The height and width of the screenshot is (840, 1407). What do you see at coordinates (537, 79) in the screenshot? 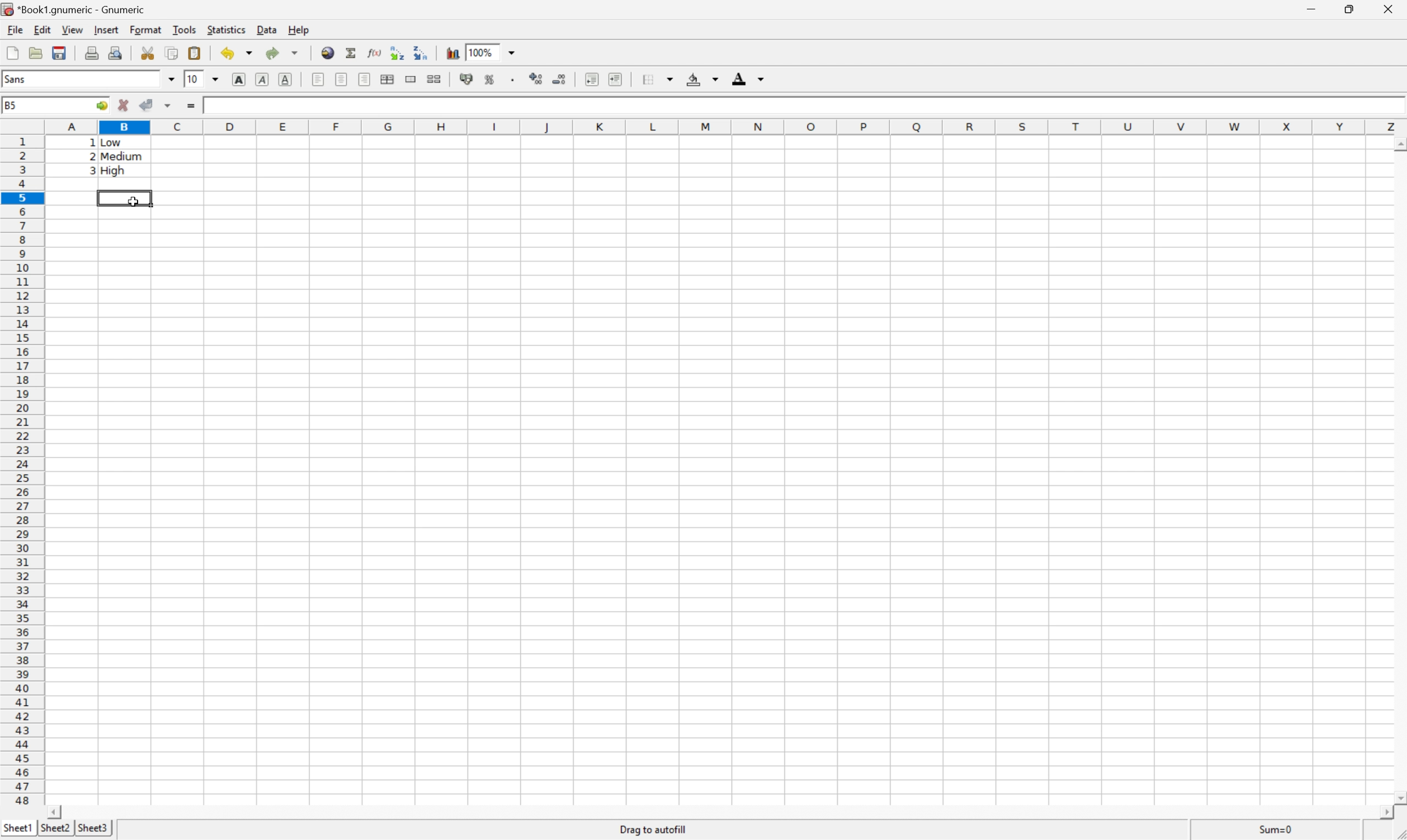
I see `Increase the number of Decimals displayed` at bounding box center [537, 79].